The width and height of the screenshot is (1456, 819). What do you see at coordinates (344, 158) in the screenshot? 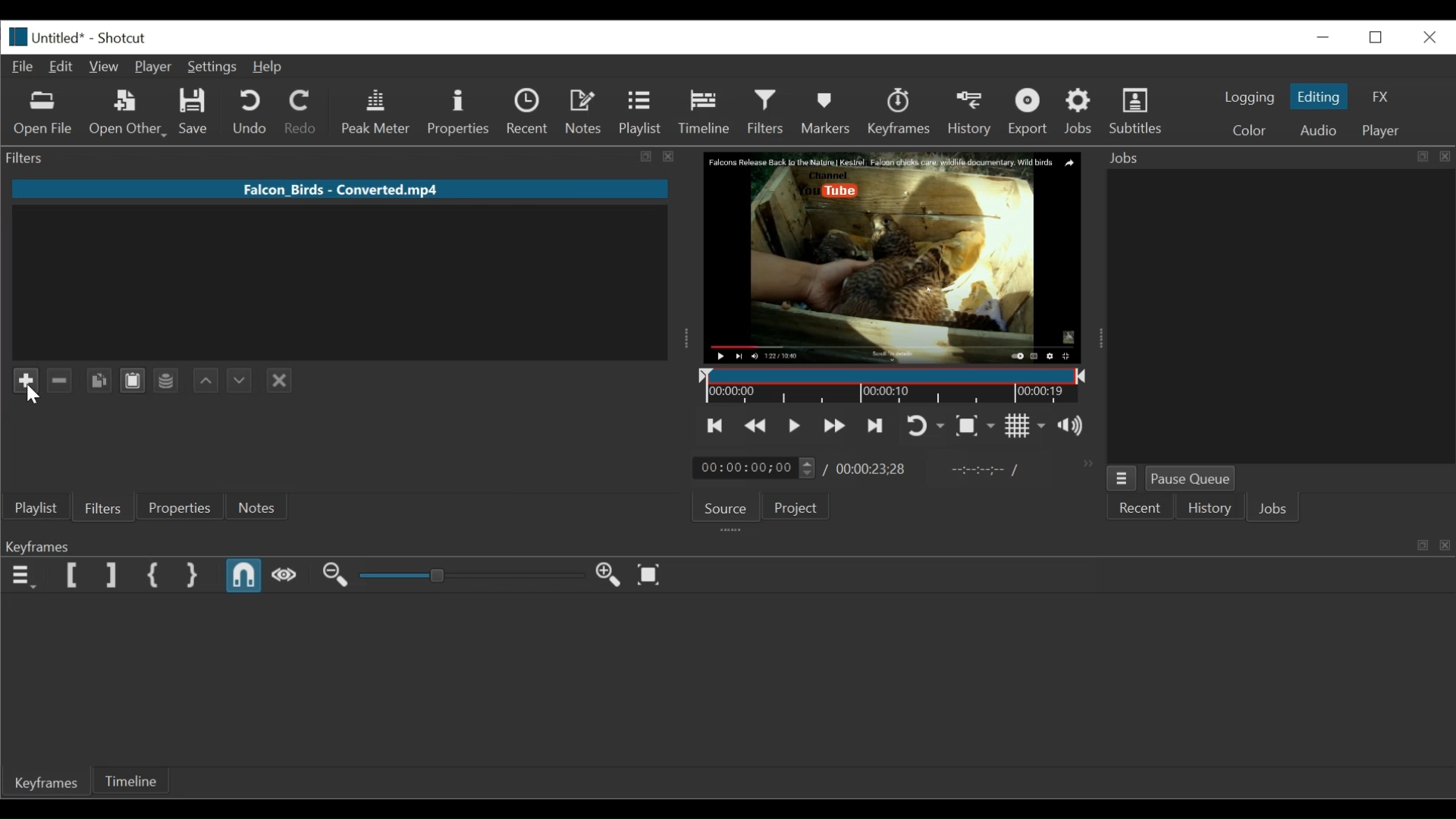
I see `Filters Panel` at bounding box center [344, 158].